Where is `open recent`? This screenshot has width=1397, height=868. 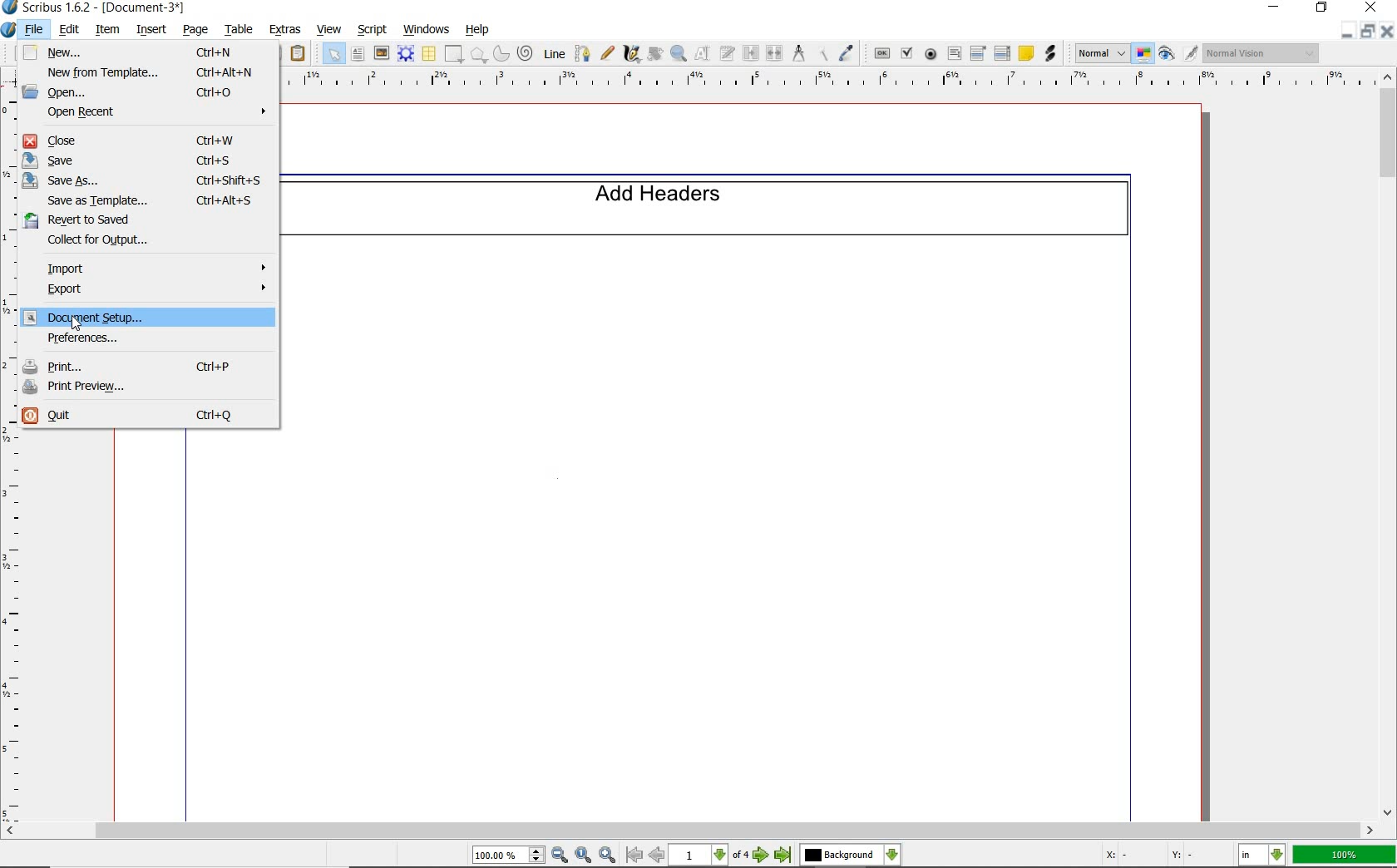
open recent is located at coordinates (152, 113).